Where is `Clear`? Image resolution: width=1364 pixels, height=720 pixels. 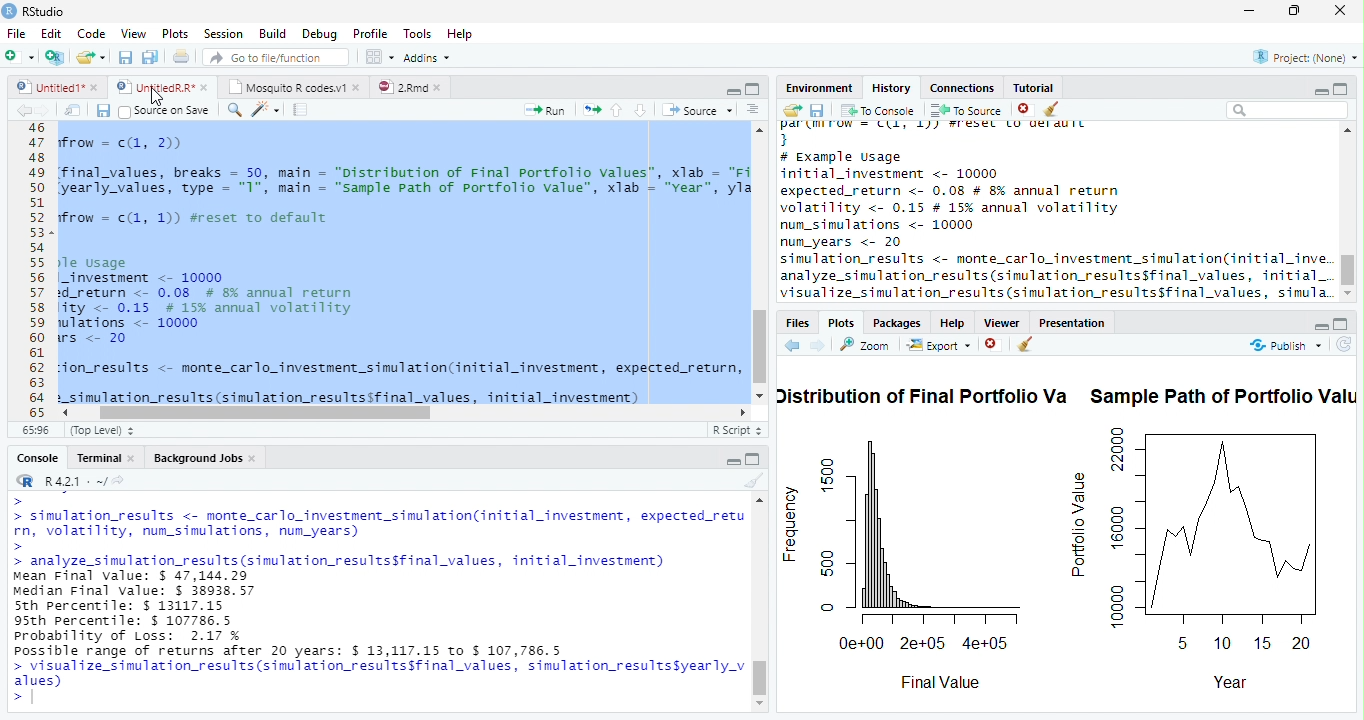
Clear is located at coordinates (751, 481).